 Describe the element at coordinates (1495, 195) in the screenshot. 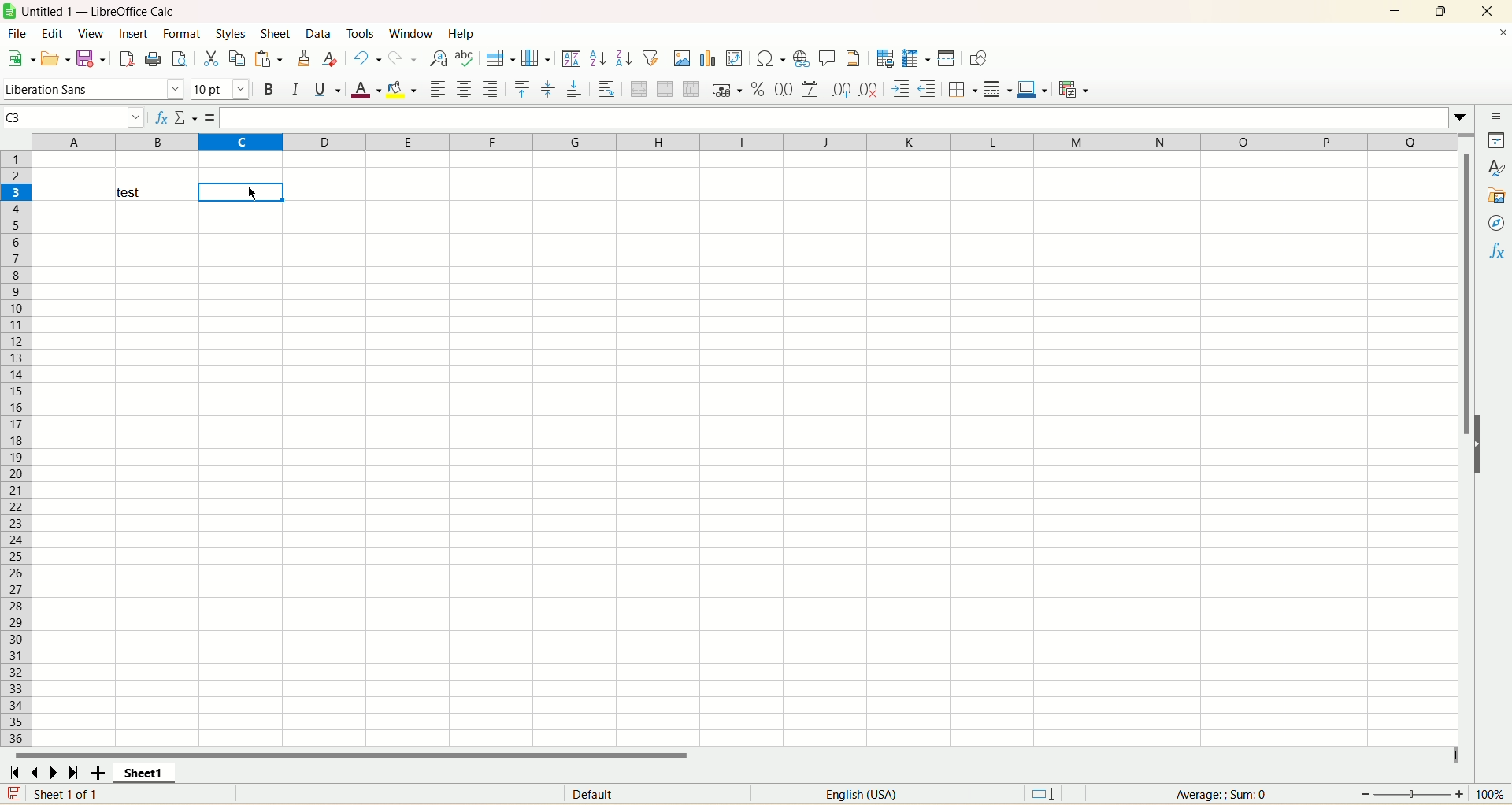

I see `gallery` at that location.